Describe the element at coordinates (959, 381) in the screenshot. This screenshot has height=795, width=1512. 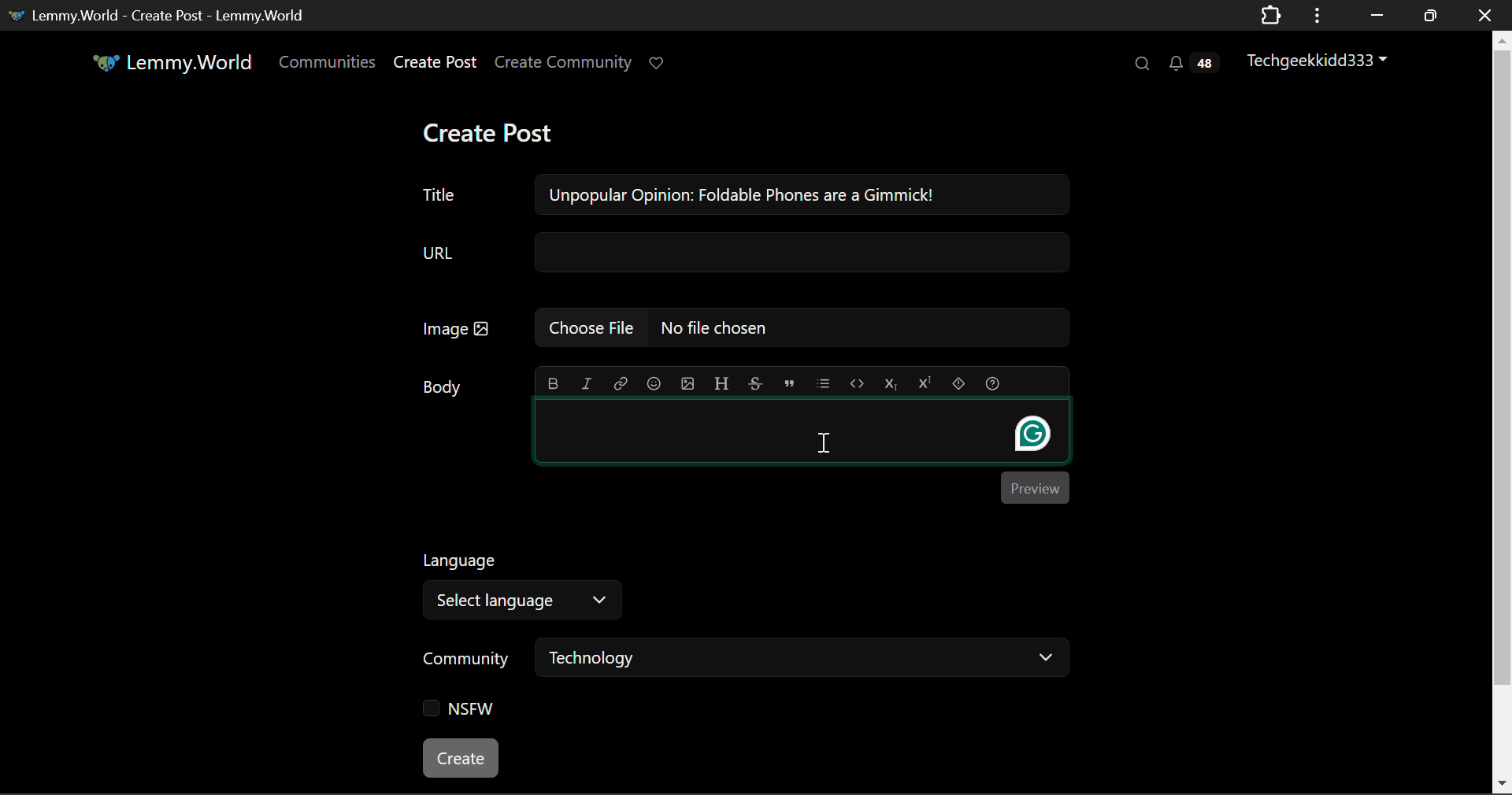
I see `spoiler` at that location.